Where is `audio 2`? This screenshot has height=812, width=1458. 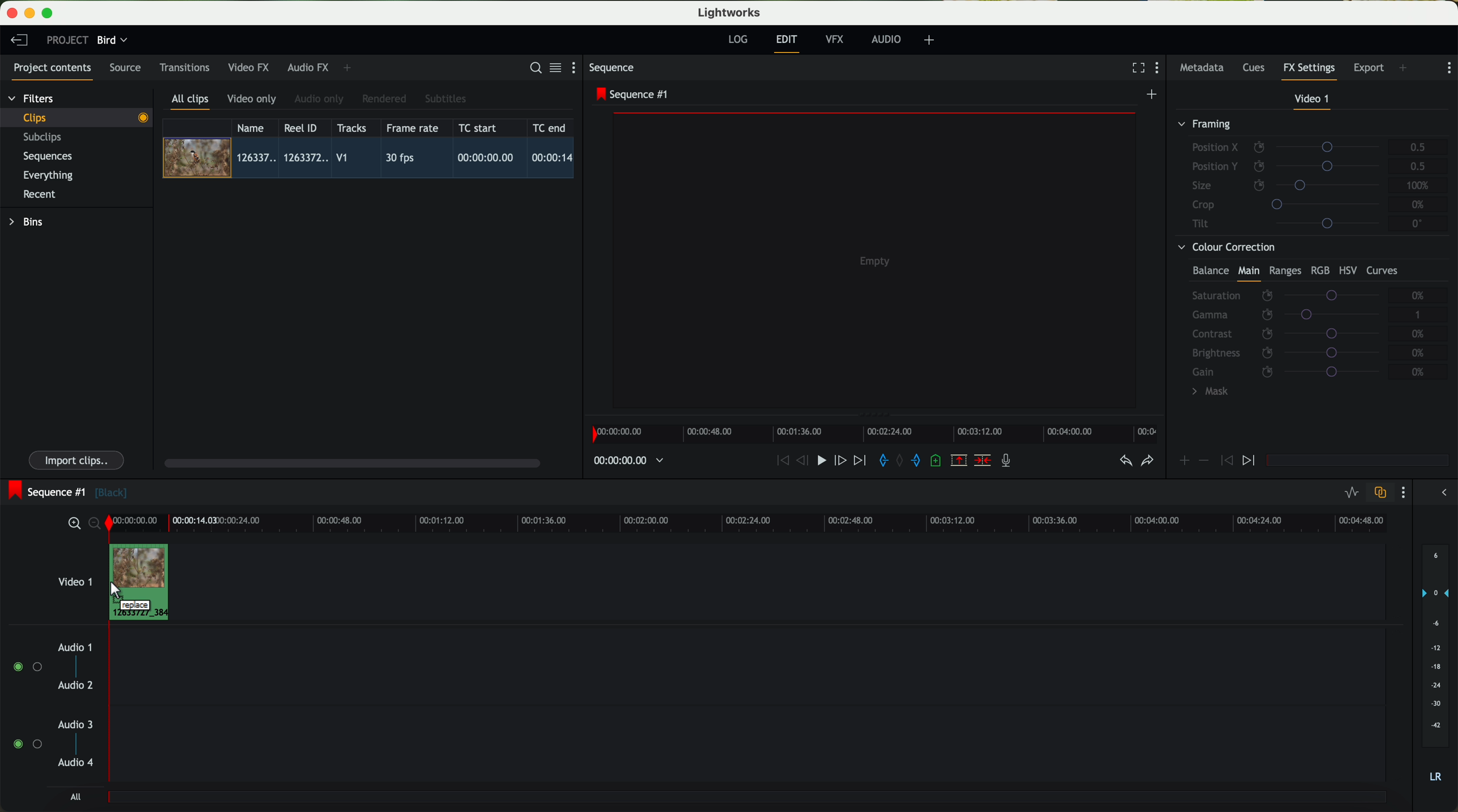 audio 2 is located at coordinates (76, 686).